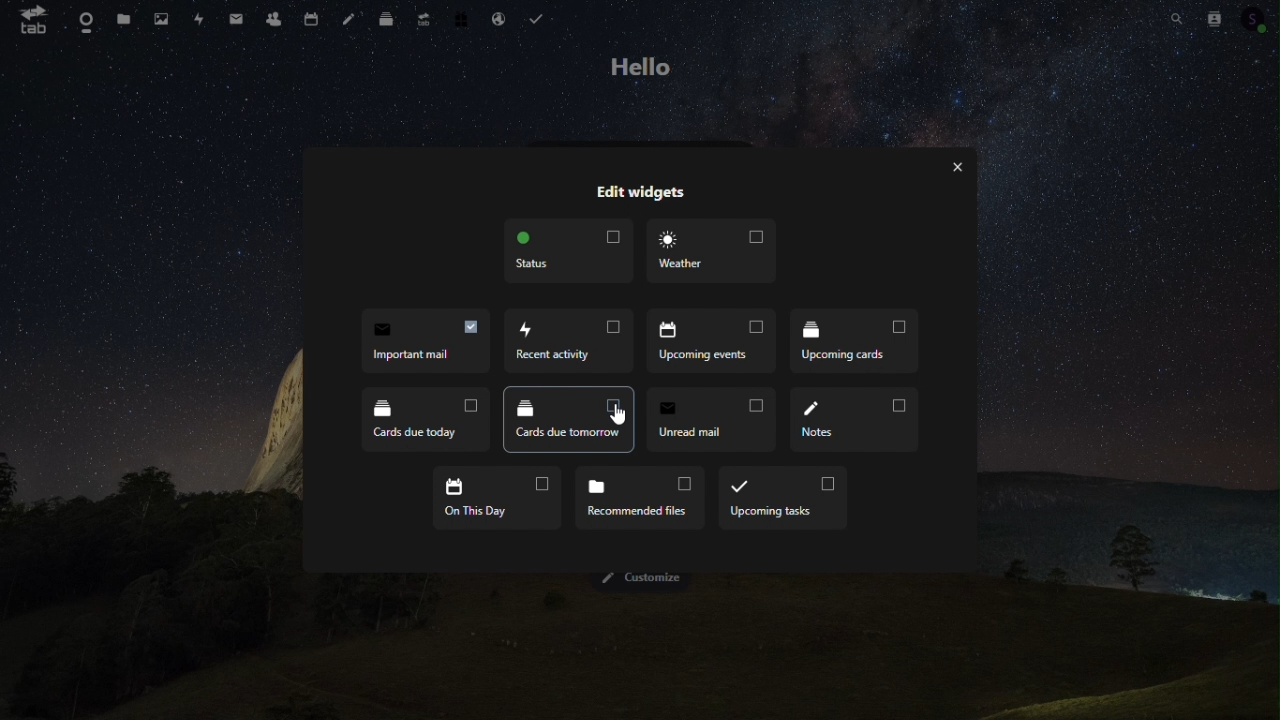  I want to click on Notes, so click(348, 19).